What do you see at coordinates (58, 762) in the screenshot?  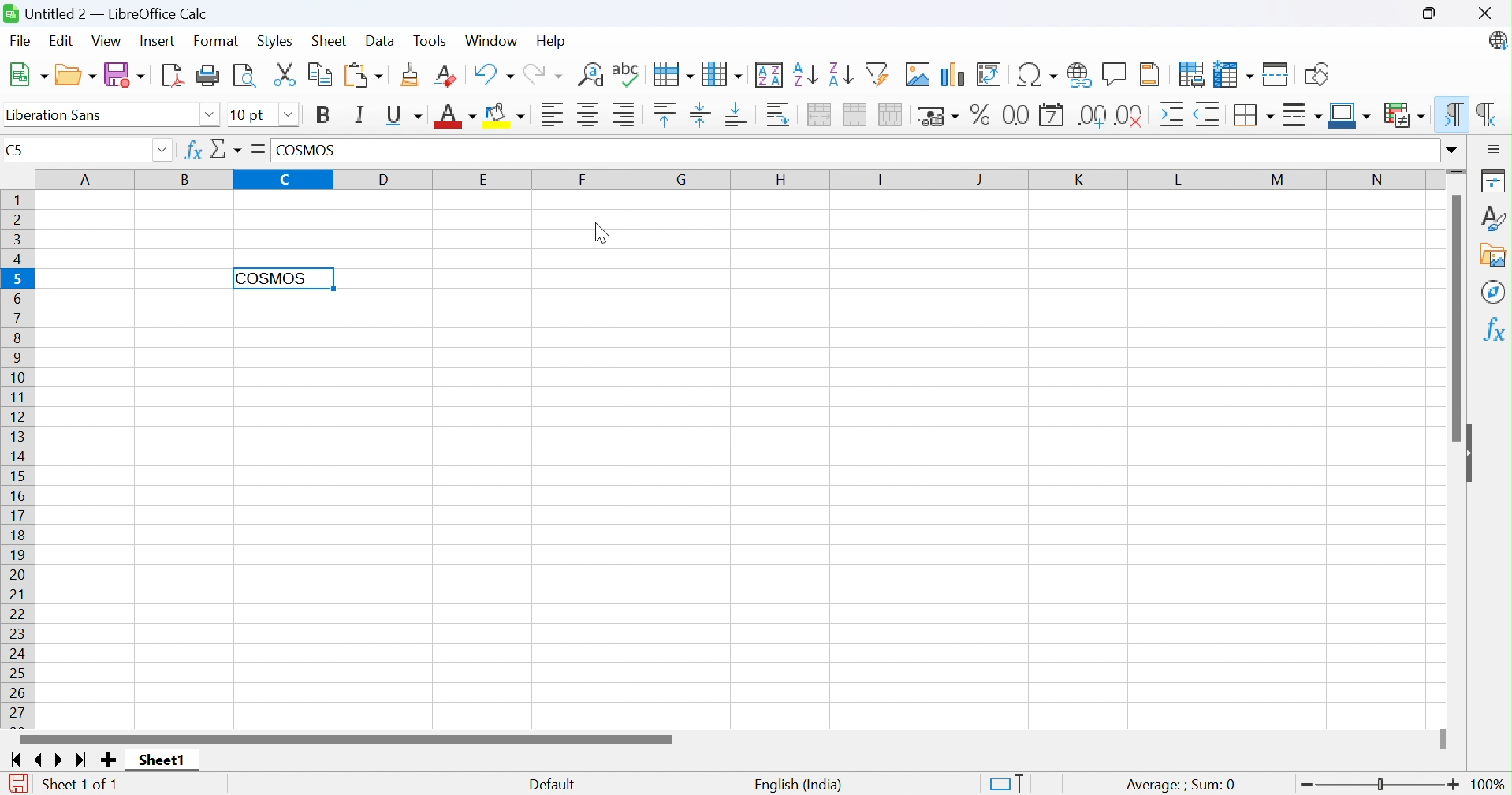 I see `Scroll to next sheet` at bounding box center [58, 762].